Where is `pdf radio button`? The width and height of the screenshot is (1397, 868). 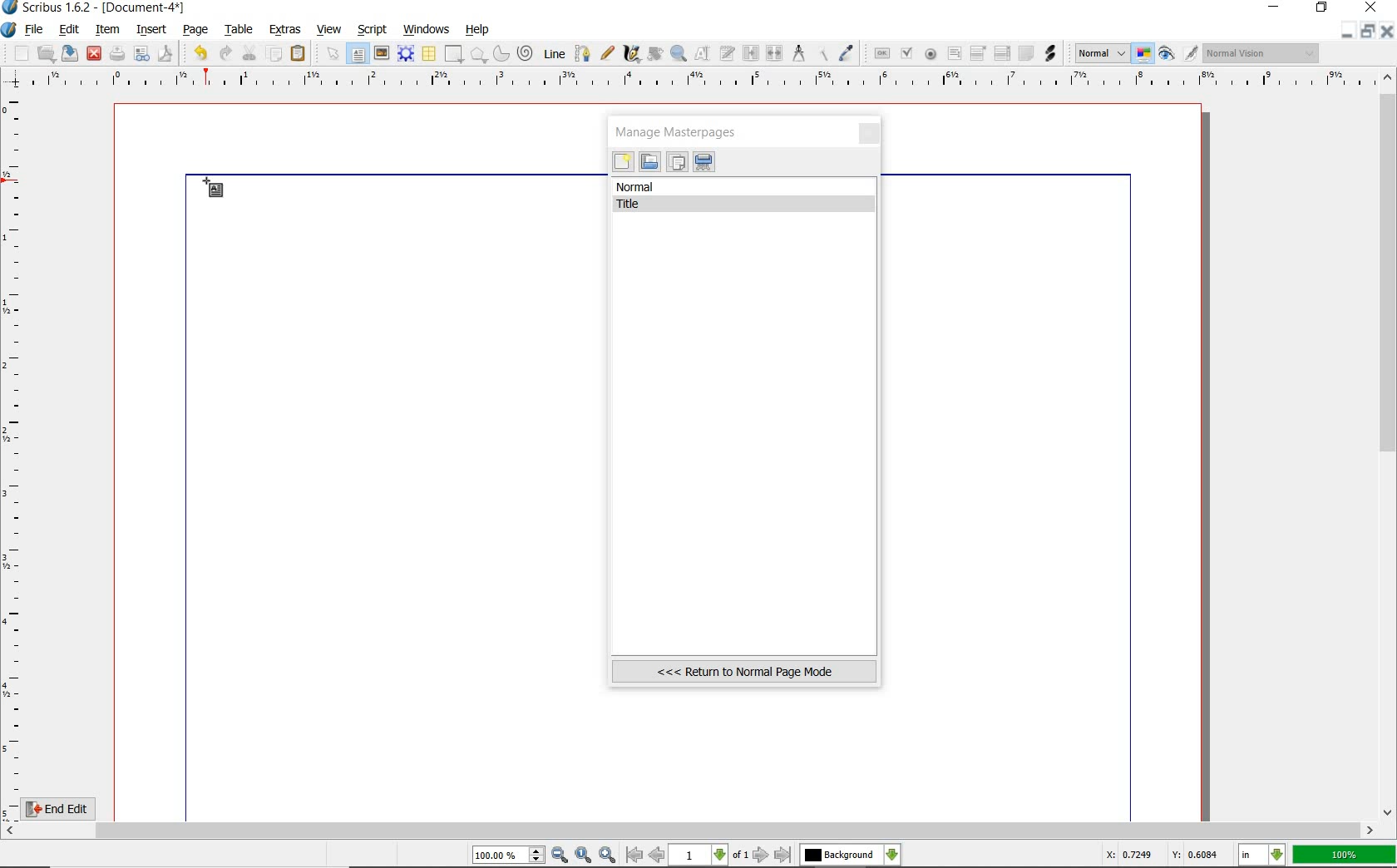 pdf radio button is located at coordinates (930, 54).